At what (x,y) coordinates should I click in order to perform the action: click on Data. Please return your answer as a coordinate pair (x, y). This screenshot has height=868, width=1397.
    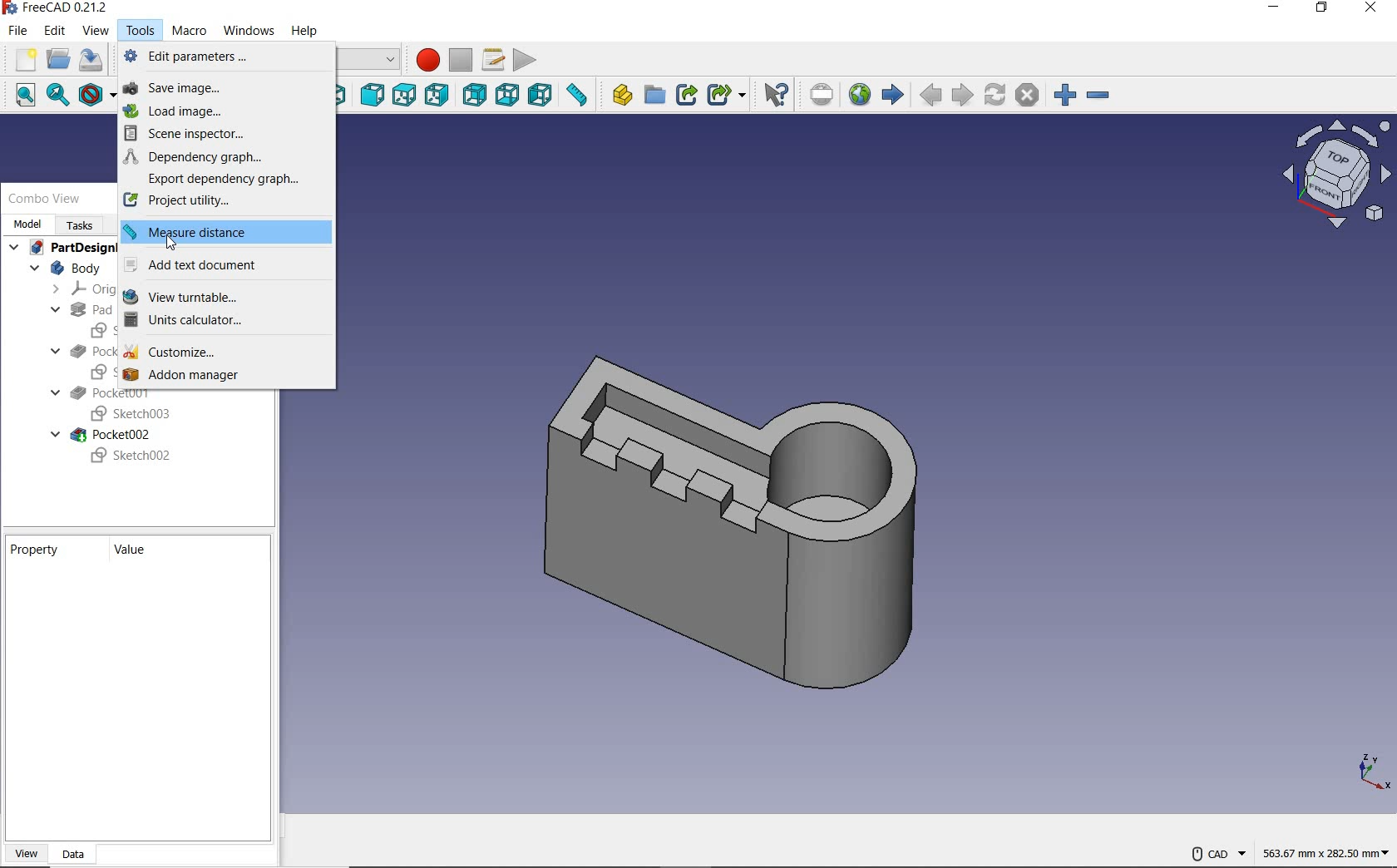
    Looking at the image, I should click on (78, 853).